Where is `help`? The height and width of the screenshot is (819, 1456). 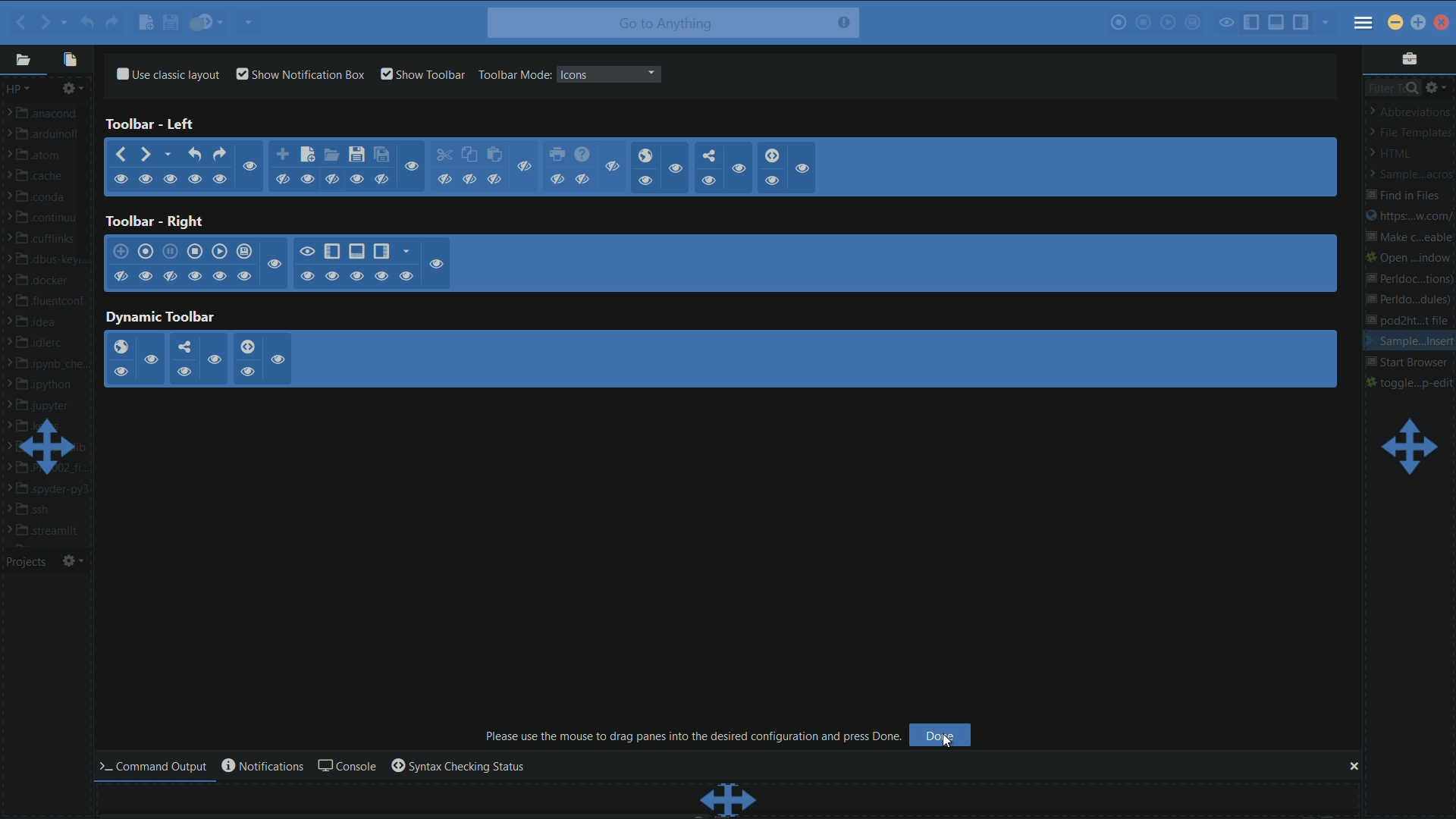 help is located at coordinates (582, 155).